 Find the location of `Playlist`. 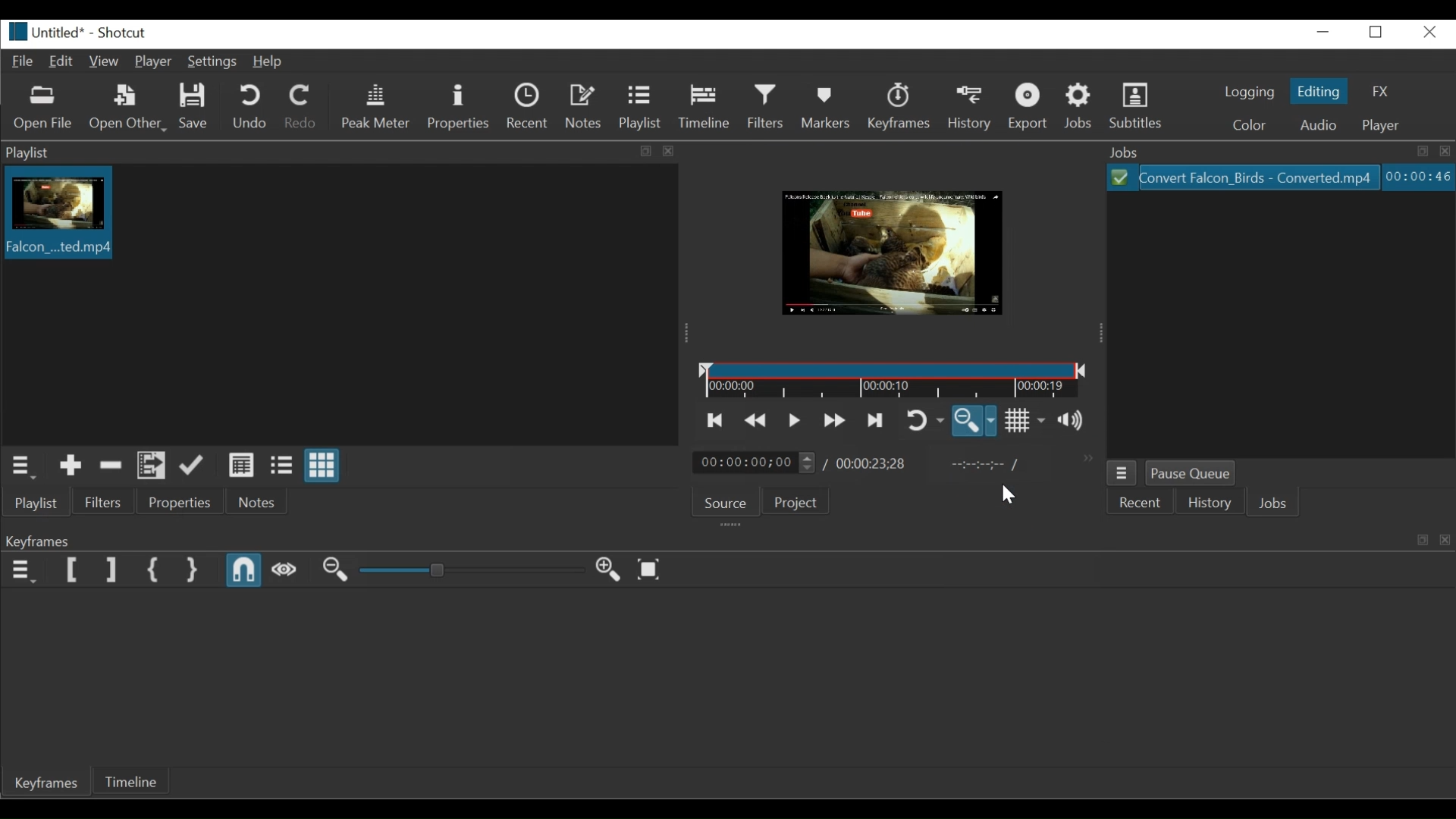

Playlist is located at coordinates (38, 502).